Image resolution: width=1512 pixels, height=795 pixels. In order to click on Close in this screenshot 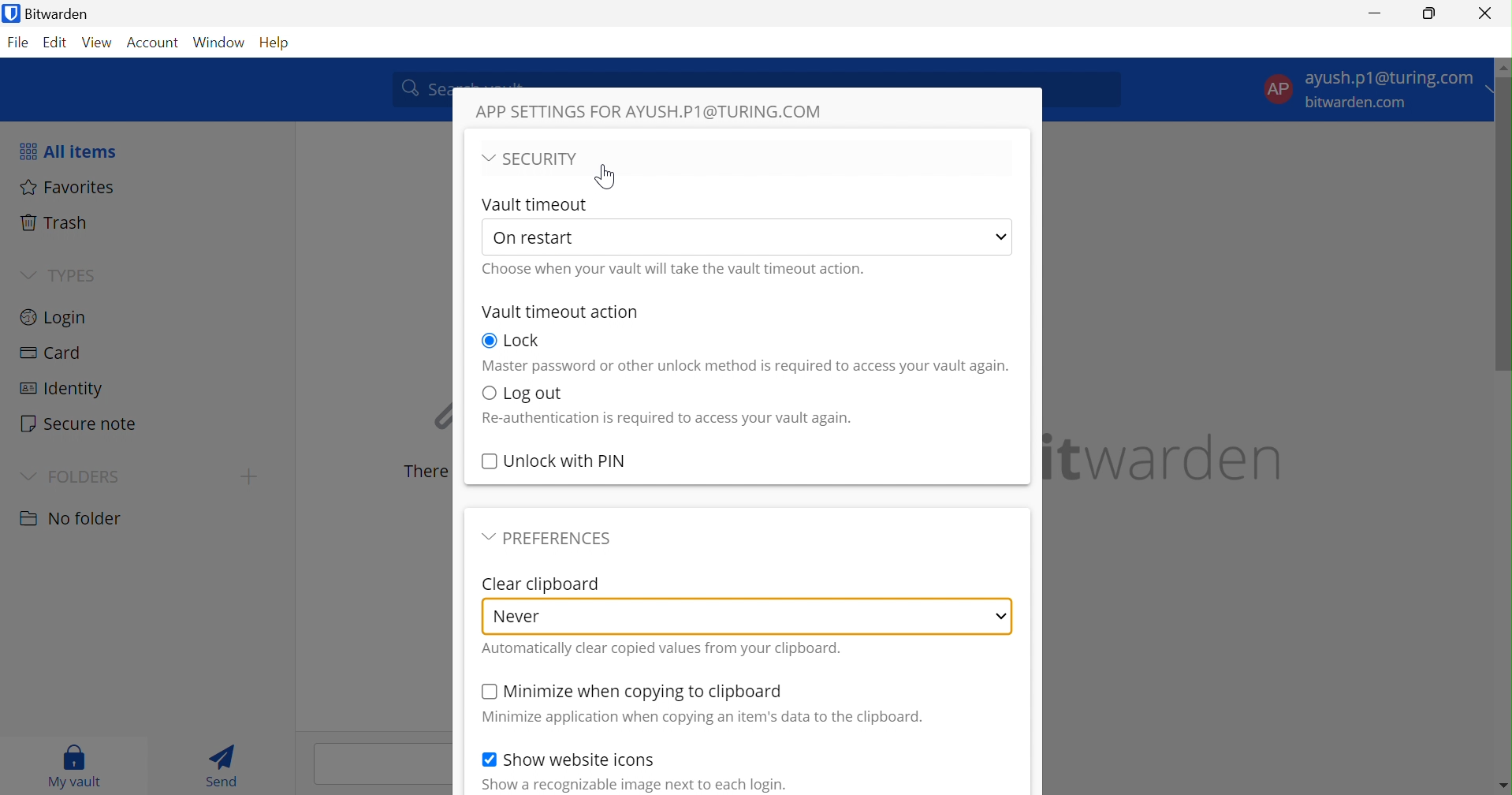, I will do `click(1484, 11)`.